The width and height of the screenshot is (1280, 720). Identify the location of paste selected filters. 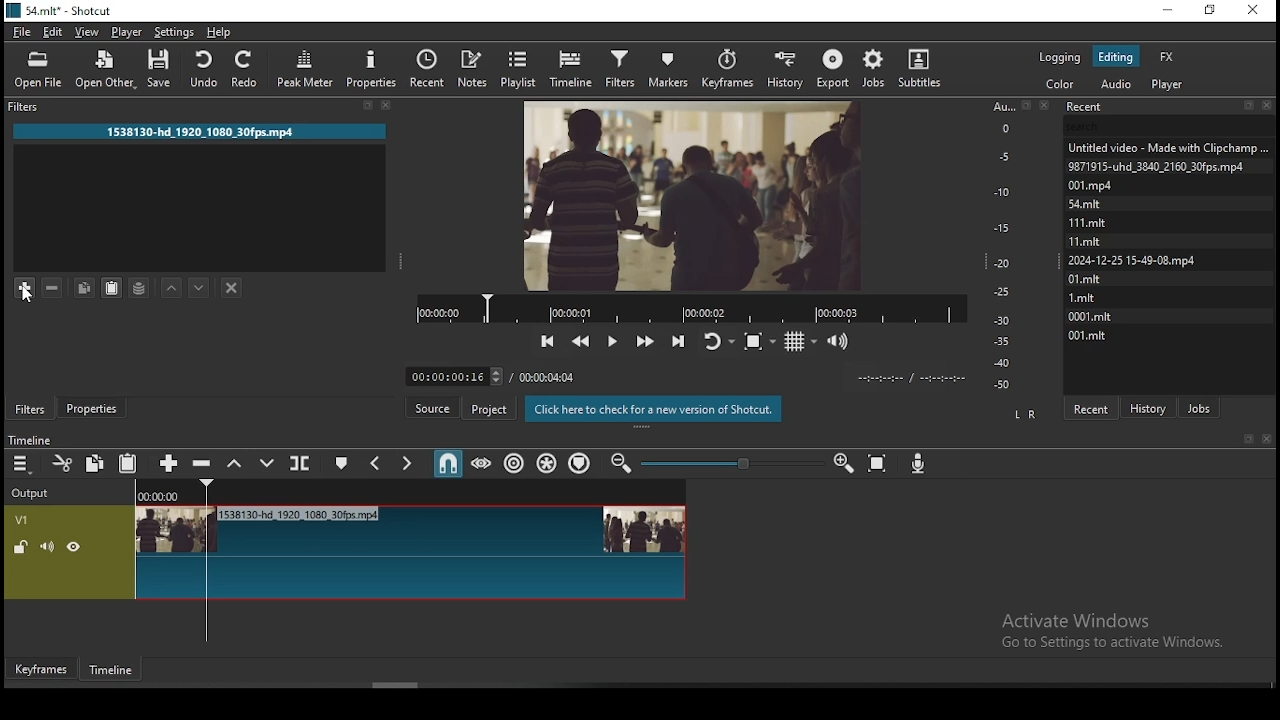
(113, 290).